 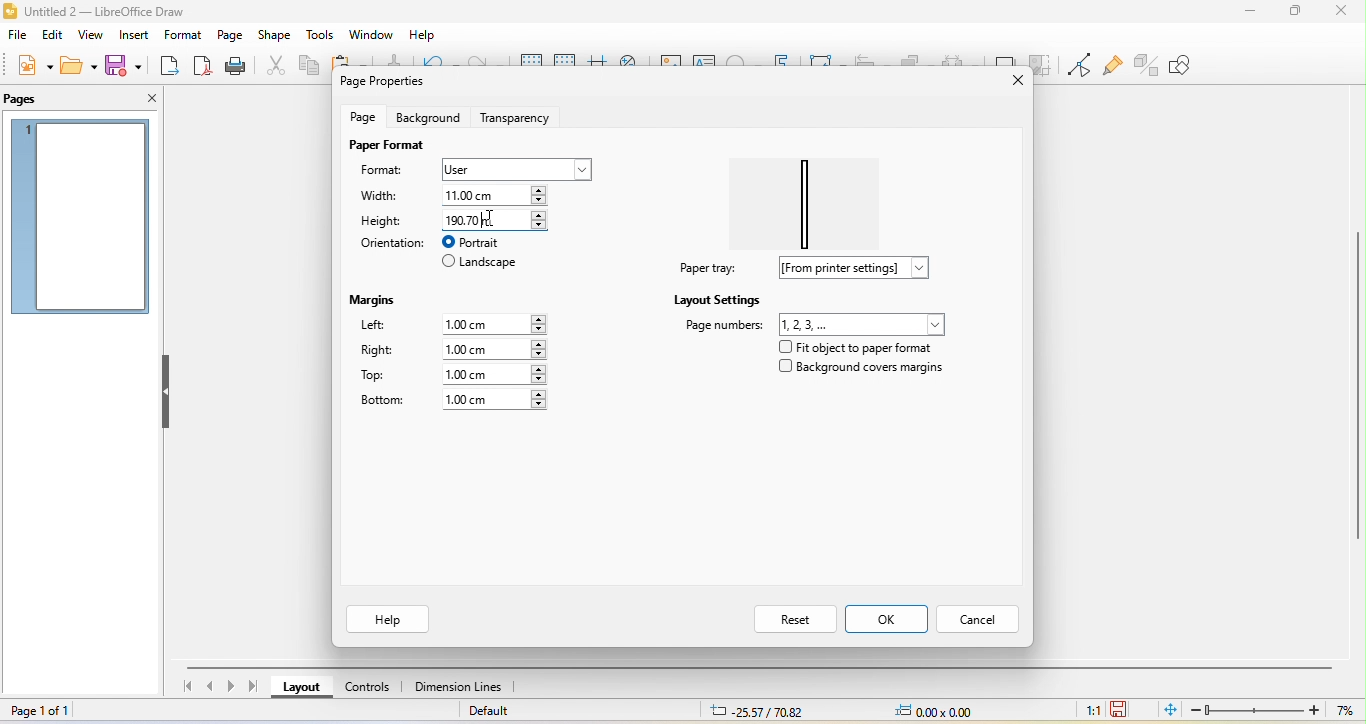 I want to click on user, so click(x=514, y=169).